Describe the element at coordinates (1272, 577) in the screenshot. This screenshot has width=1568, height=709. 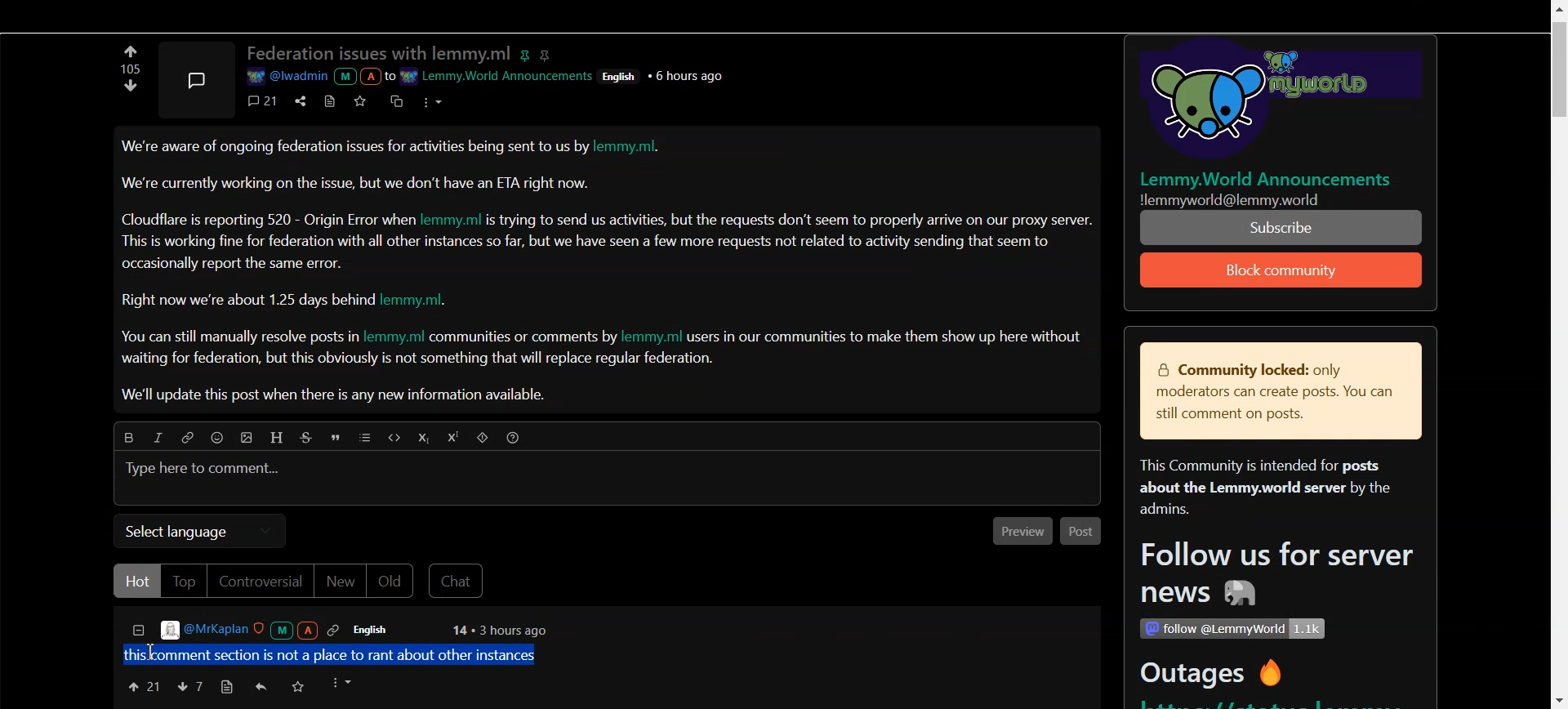
I see `Follow us for server
news #8` at that location.